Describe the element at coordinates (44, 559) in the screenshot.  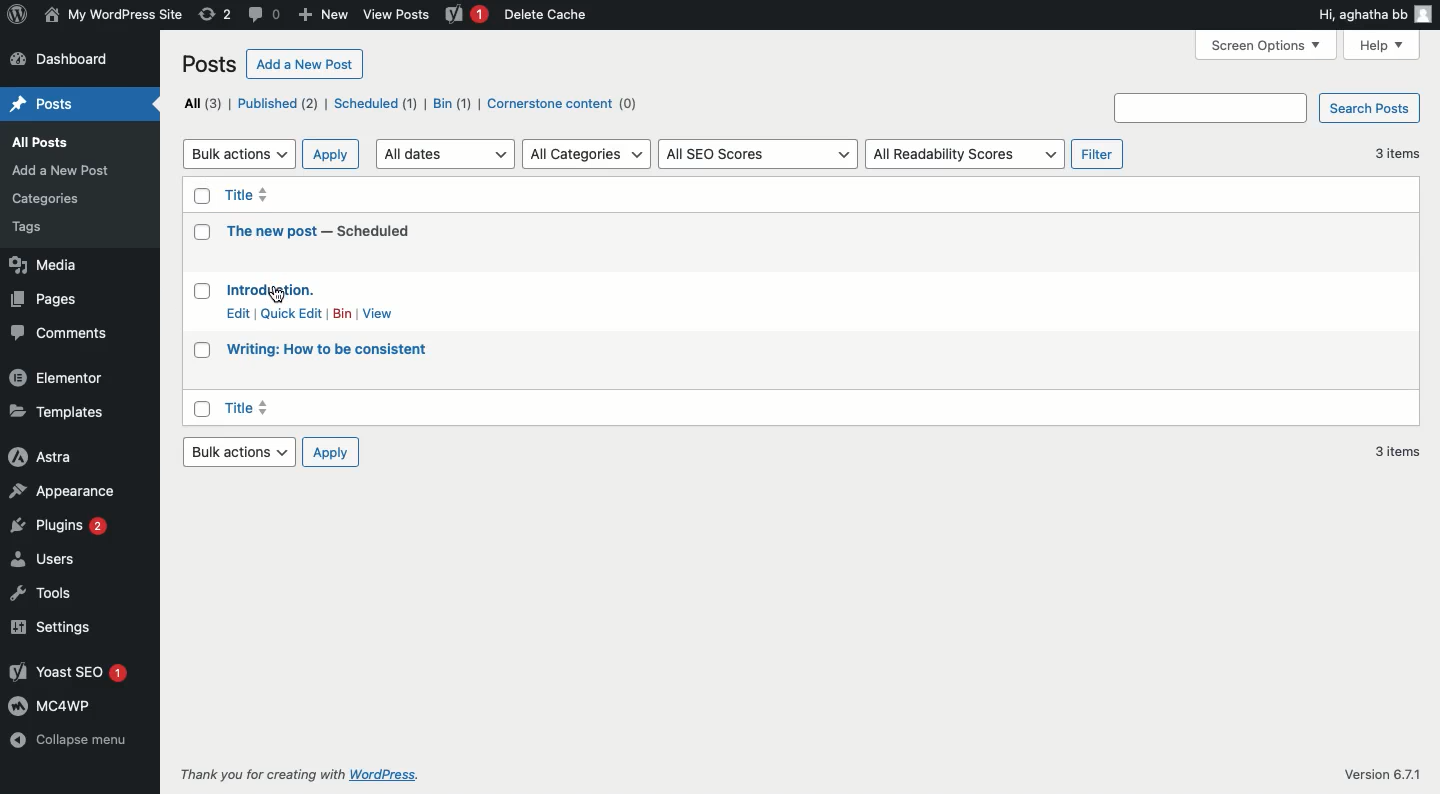
I see `Users` at that location.